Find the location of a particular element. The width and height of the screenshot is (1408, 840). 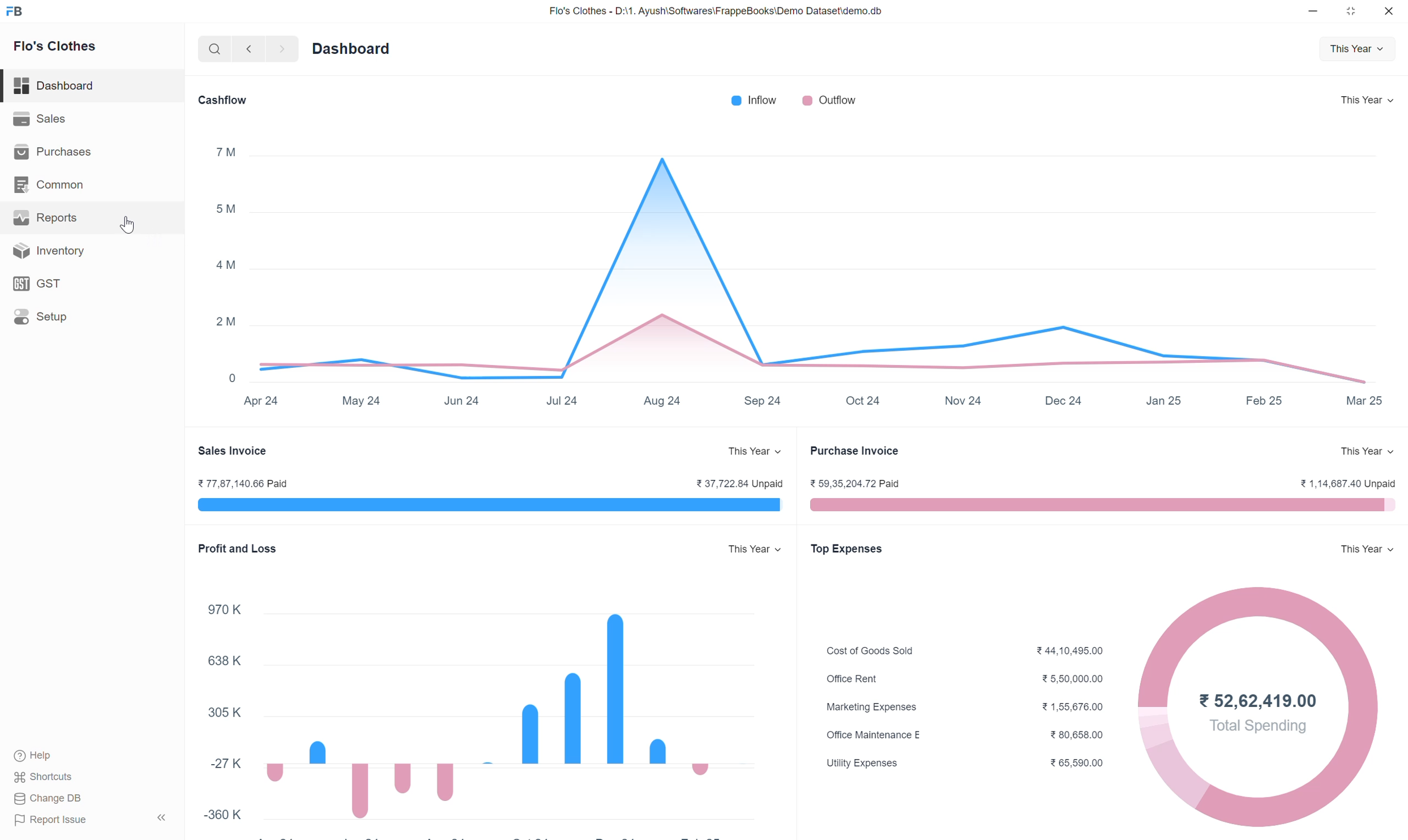

Mar 25 is located at coordinates (1361, 402).